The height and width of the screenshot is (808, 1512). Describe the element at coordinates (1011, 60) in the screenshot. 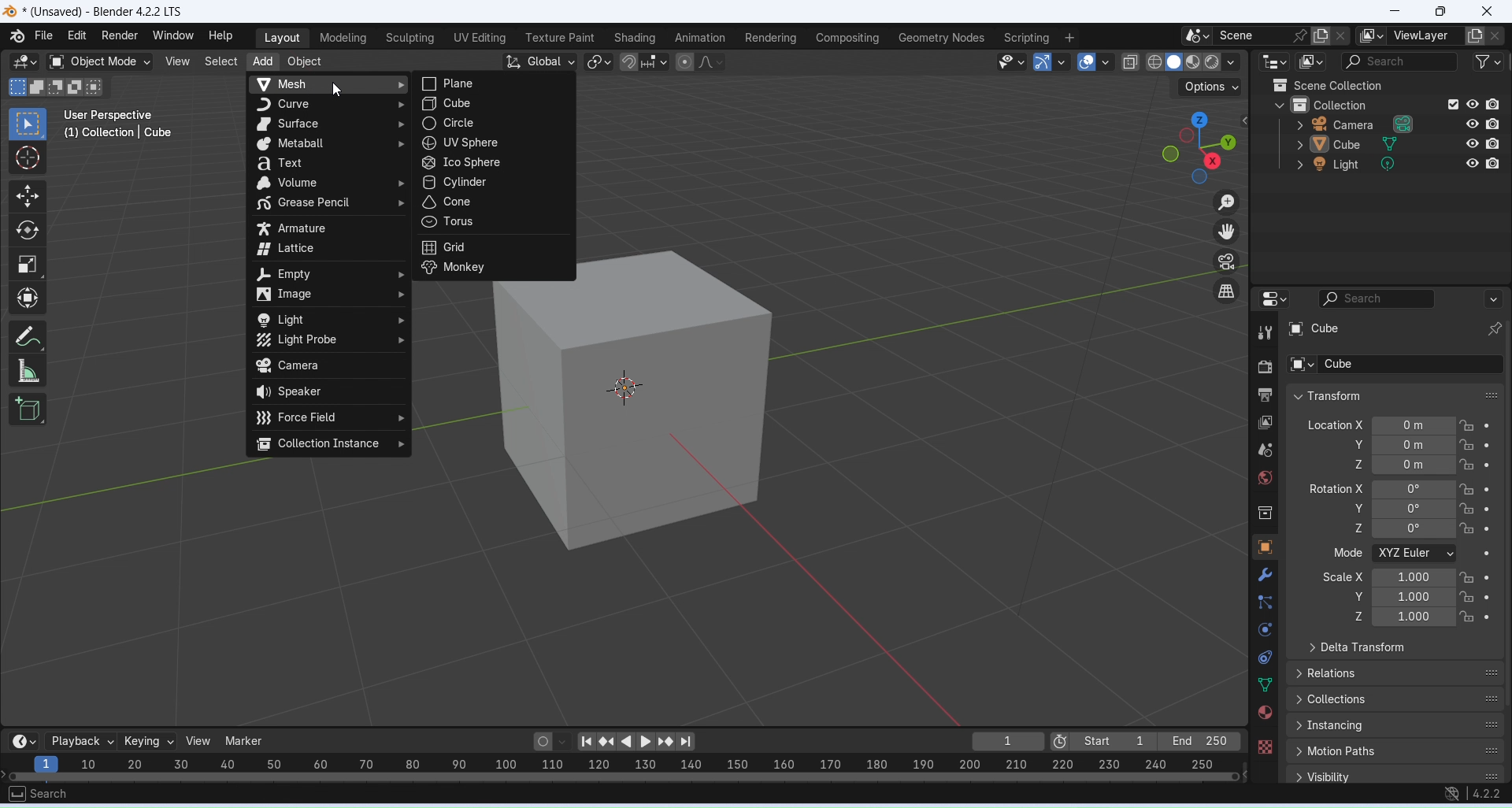

I see `Selectability and visibility` at that location.